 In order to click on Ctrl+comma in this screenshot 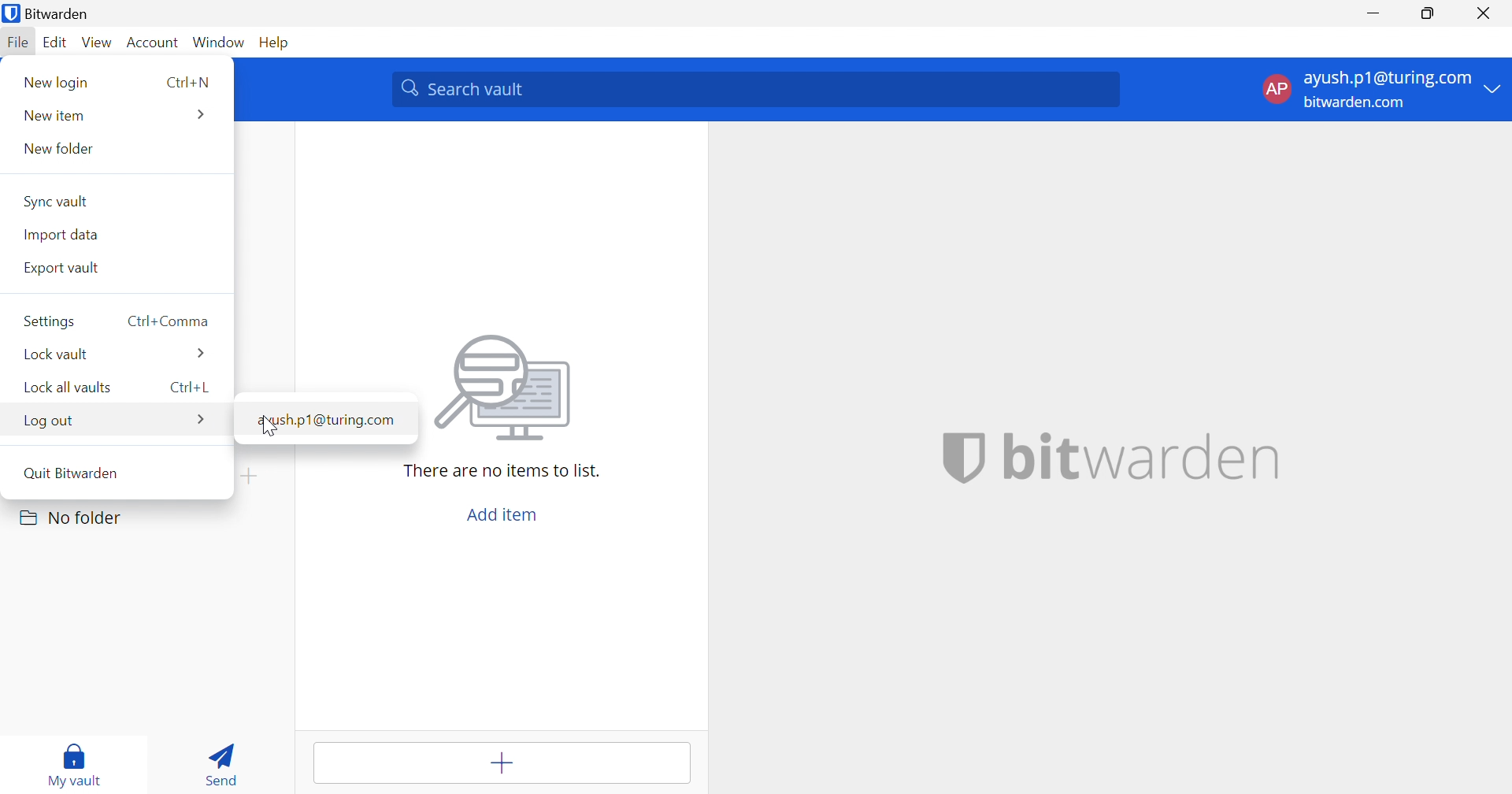, I will do `click(169, 321)`.